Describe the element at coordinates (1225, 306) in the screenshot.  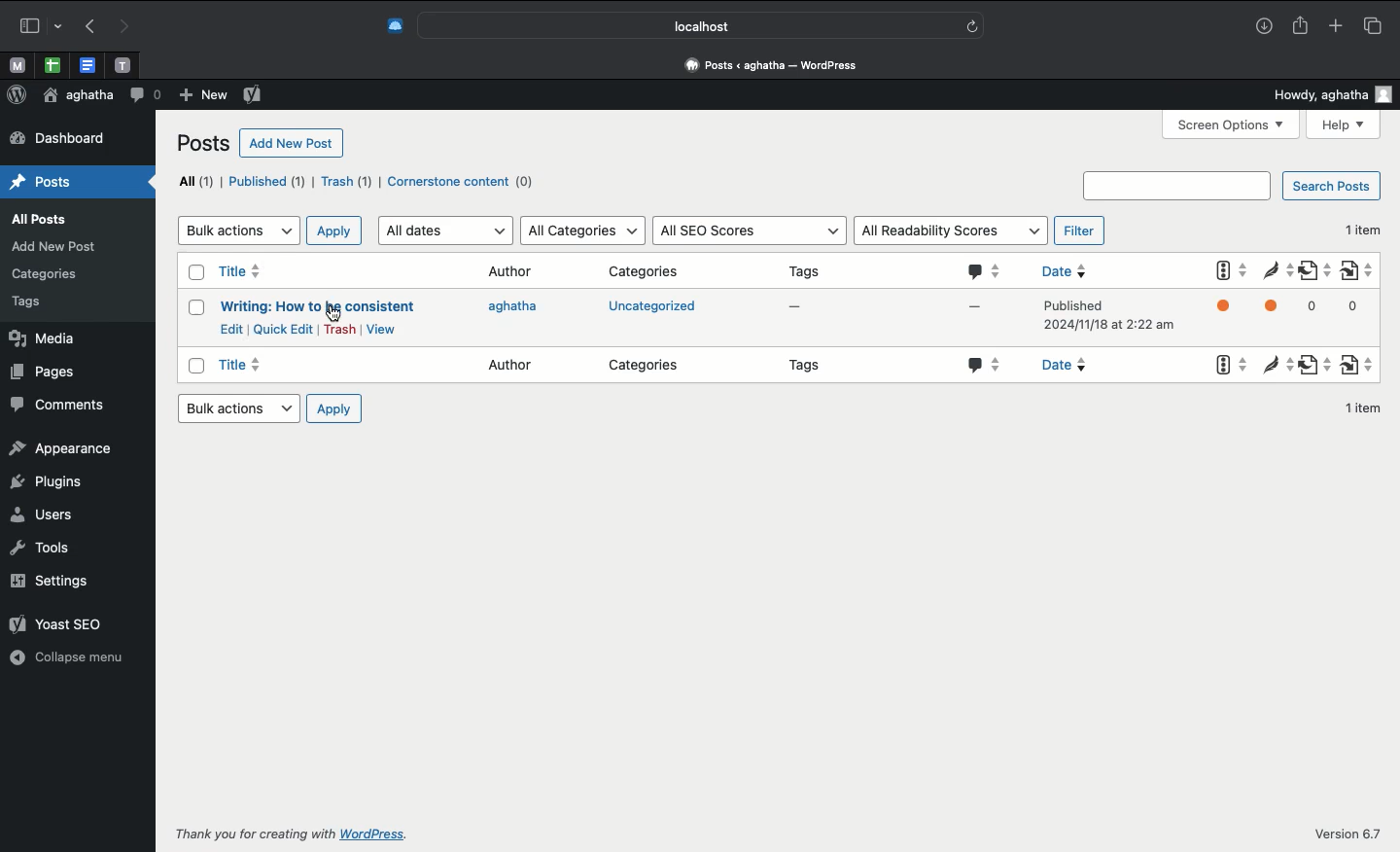
I see `Yoast` at that location.